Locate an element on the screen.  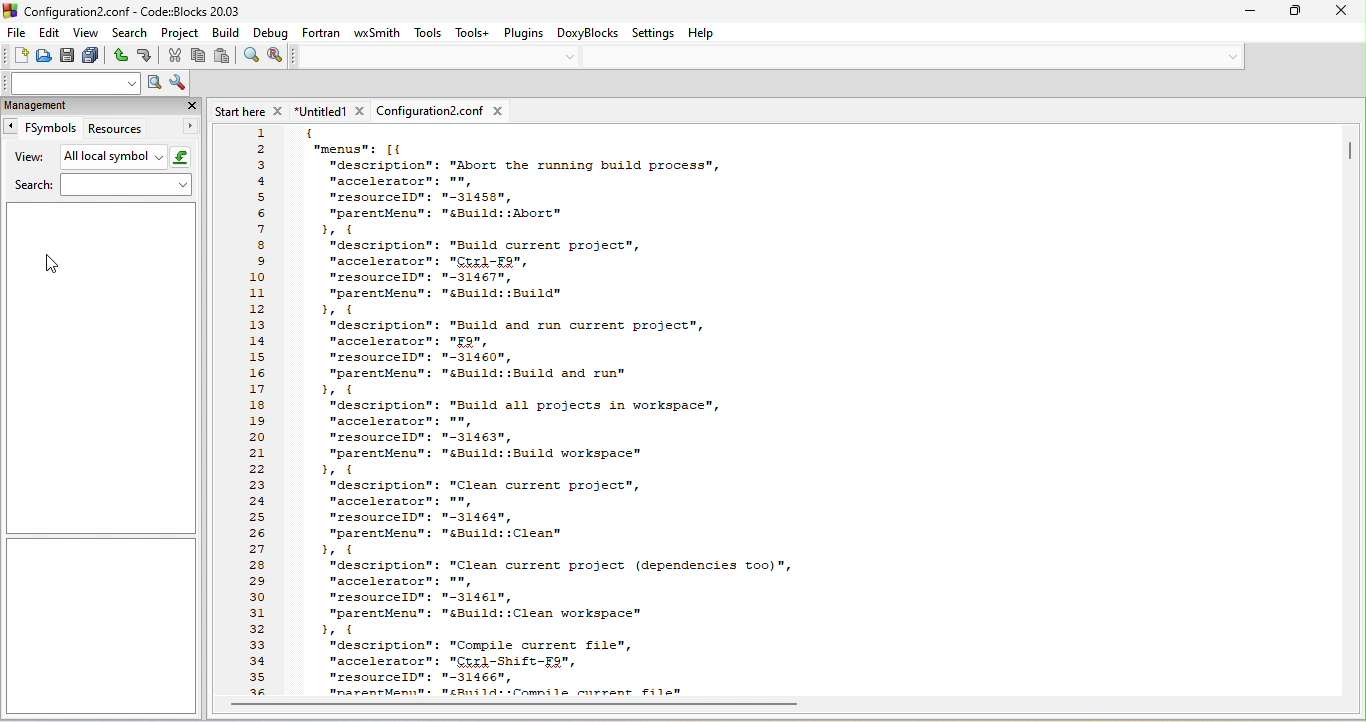
close is located at coordinates (1341, 13).